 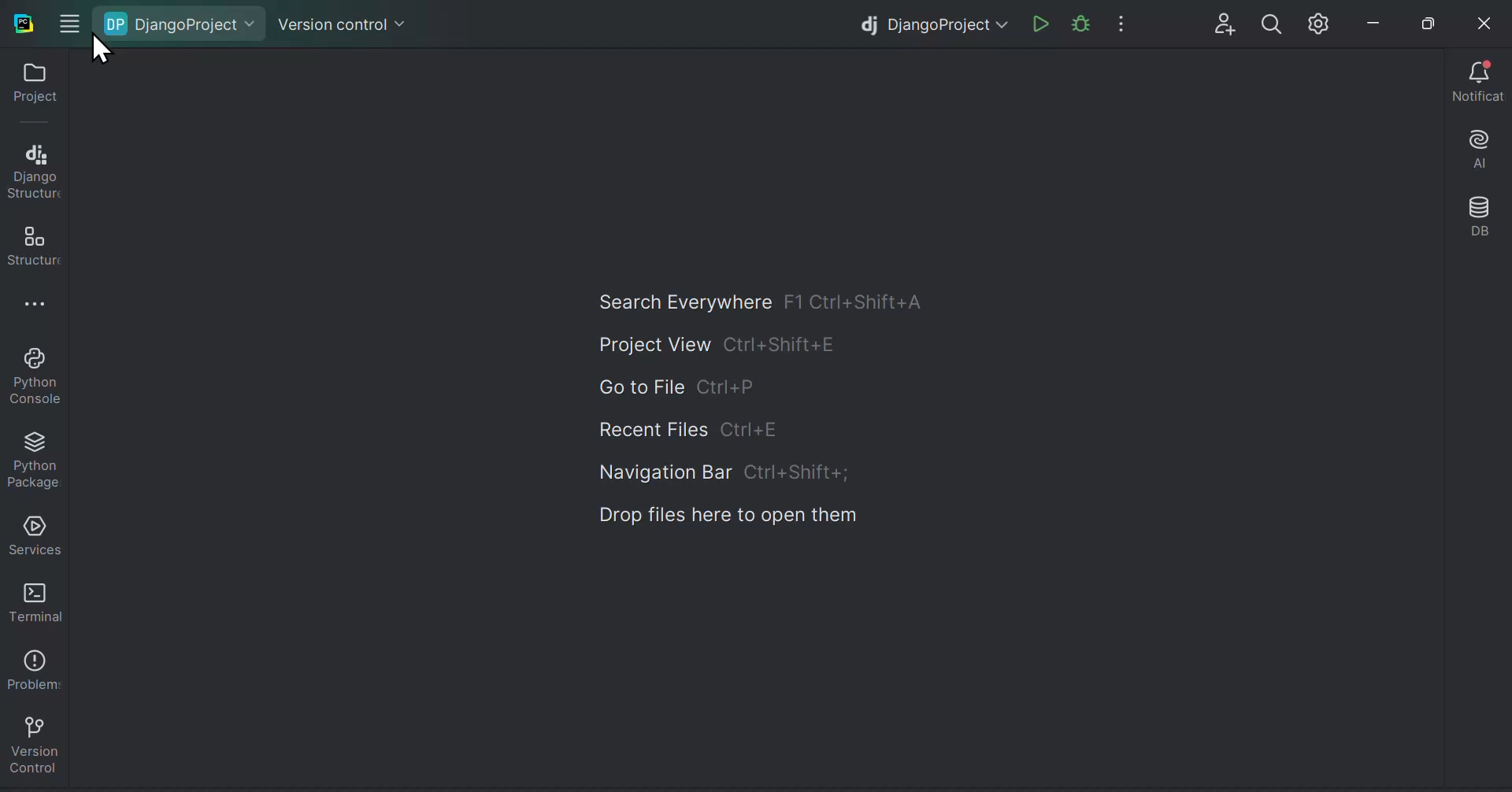 I want to click on Settings, so click(x=1317, y=21).